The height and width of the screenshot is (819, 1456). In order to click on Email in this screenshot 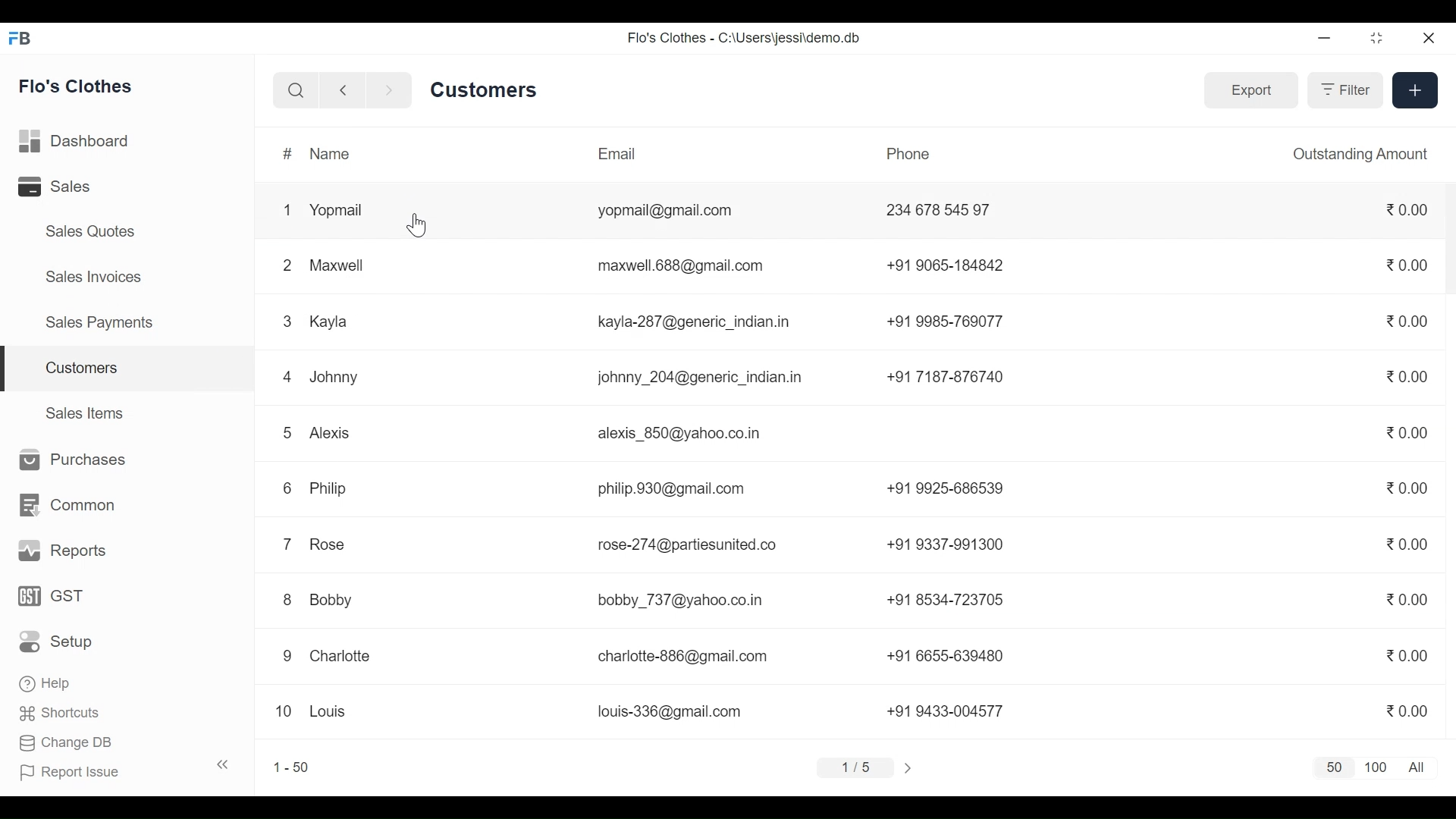, I will do `click(620, 154)`.